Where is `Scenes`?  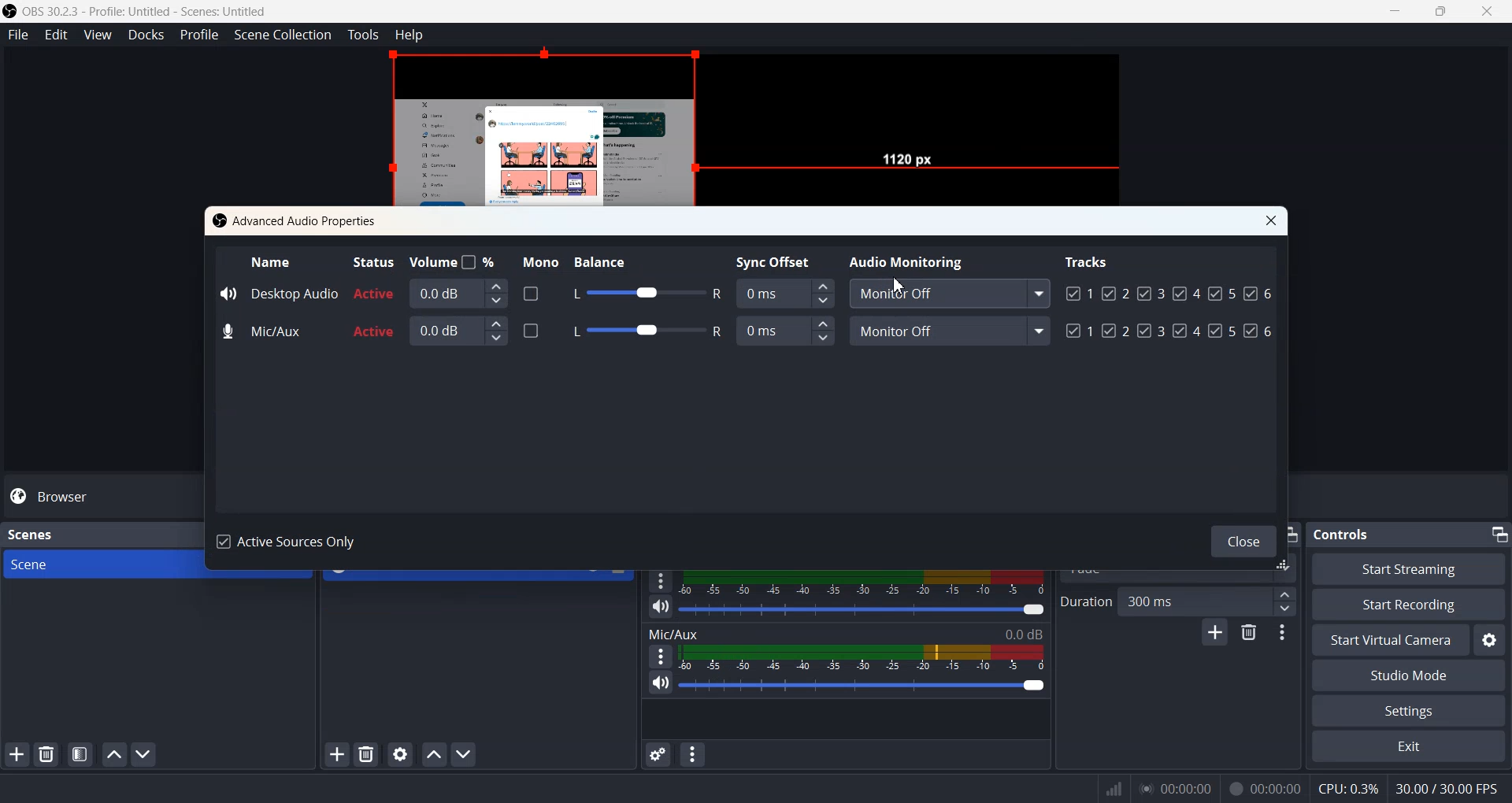 Scenes is located at coordinates (30, 533).